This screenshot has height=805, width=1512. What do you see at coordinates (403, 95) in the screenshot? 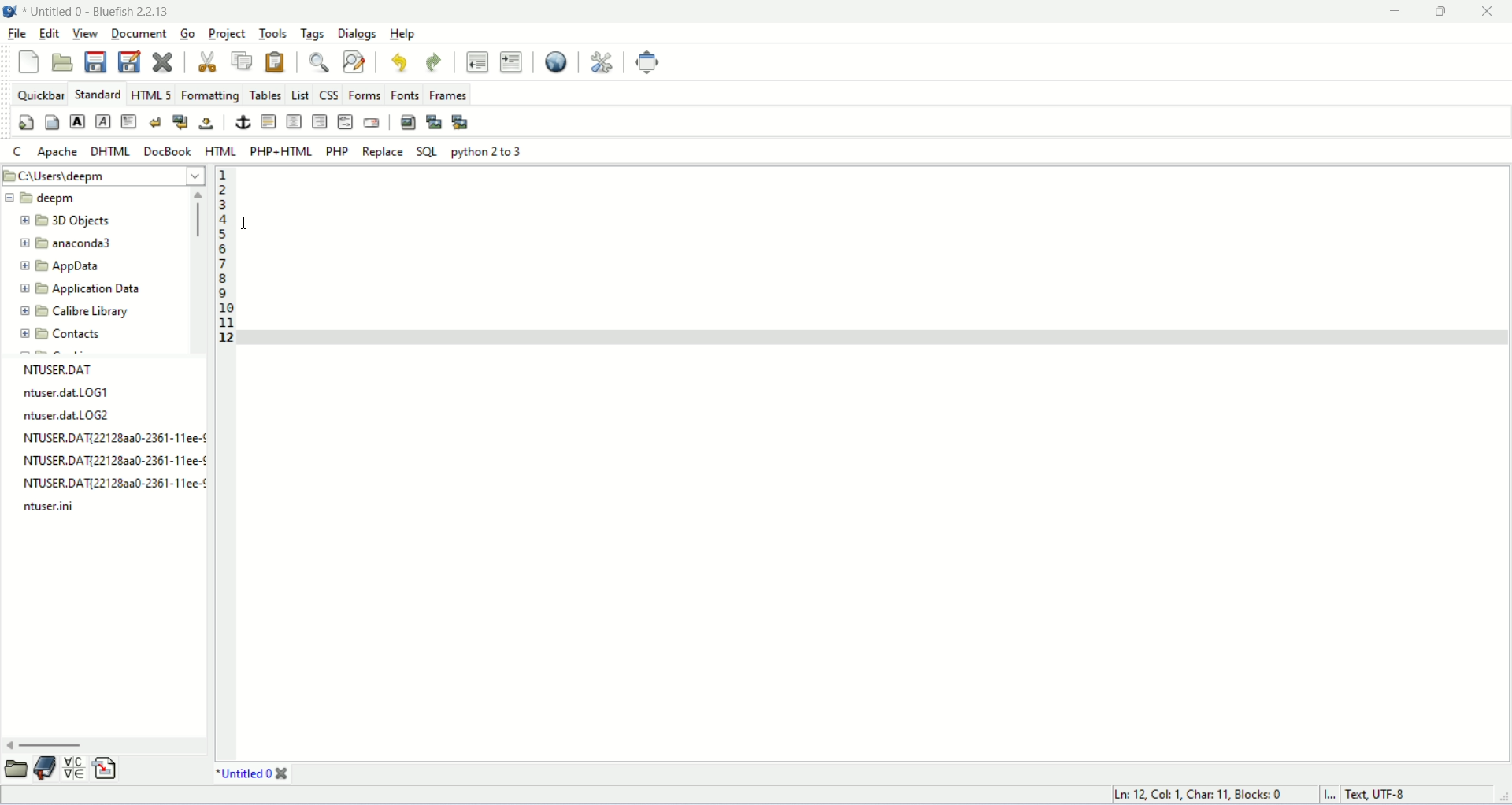
I see `fonts` at bounding box center [403, 95].